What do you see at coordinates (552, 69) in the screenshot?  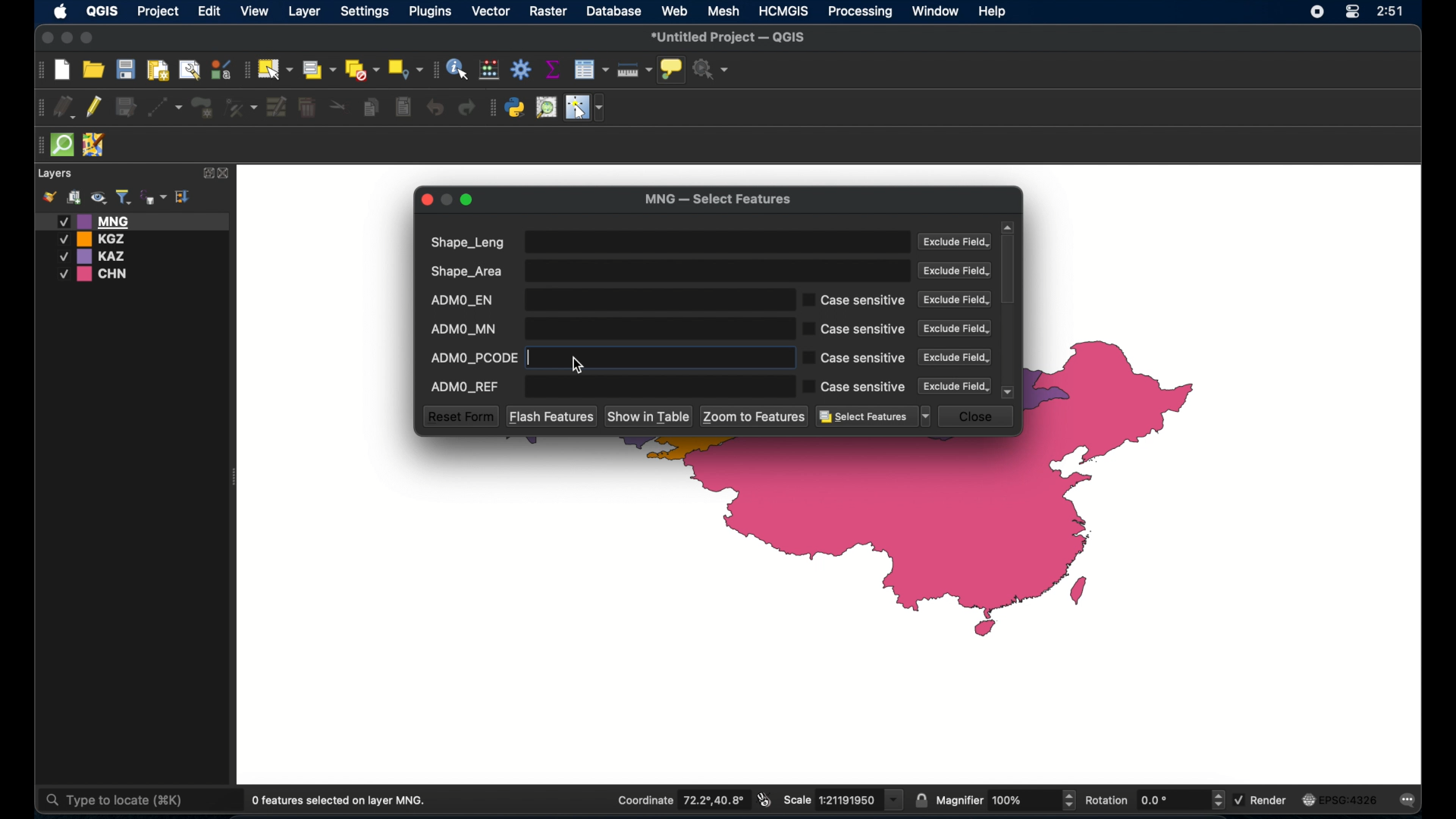 I see `show statistical summary` at bounding box center [552, 69].